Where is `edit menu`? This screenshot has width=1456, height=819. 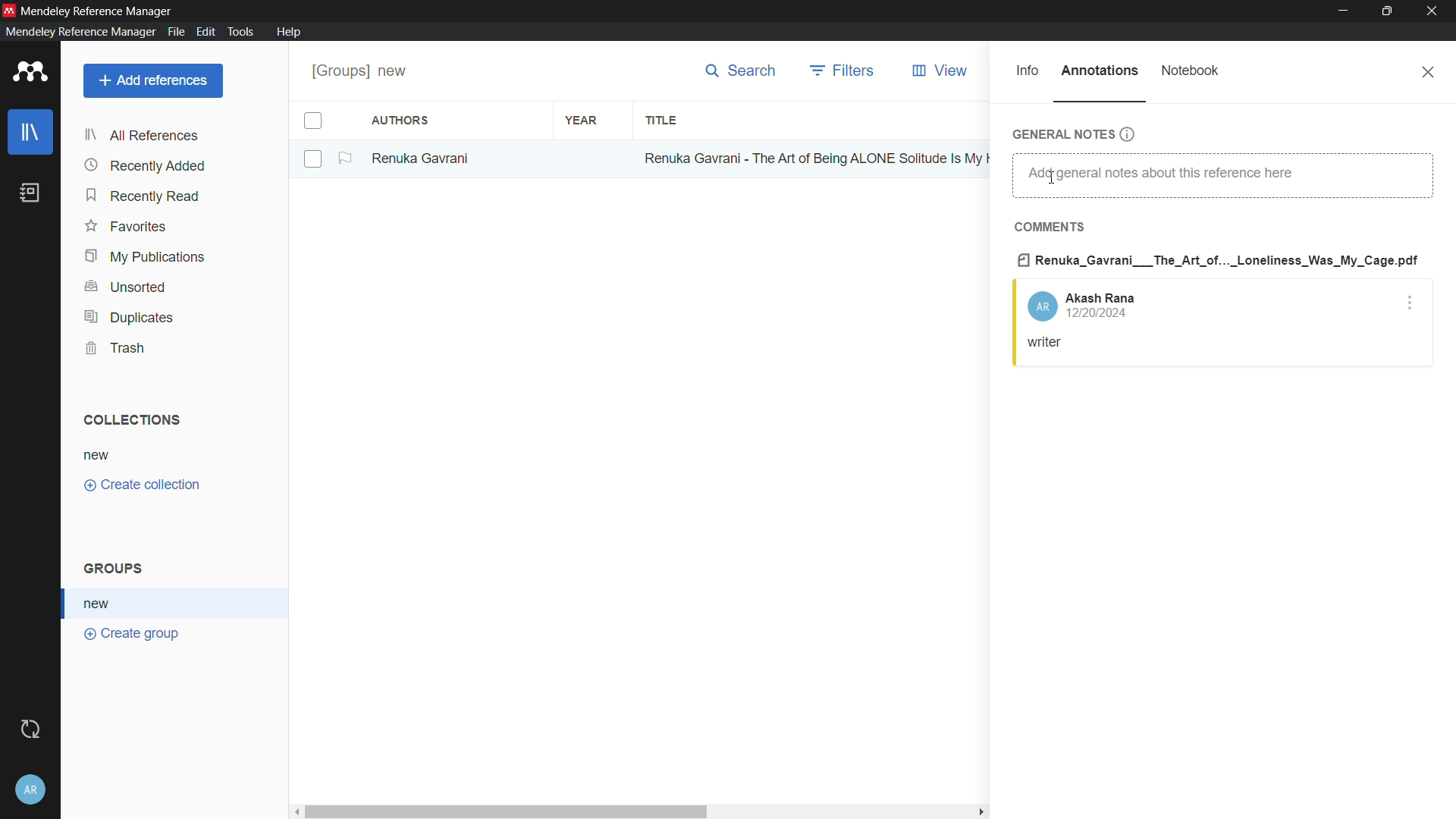 edit menu is located at coordinates (206, 32).